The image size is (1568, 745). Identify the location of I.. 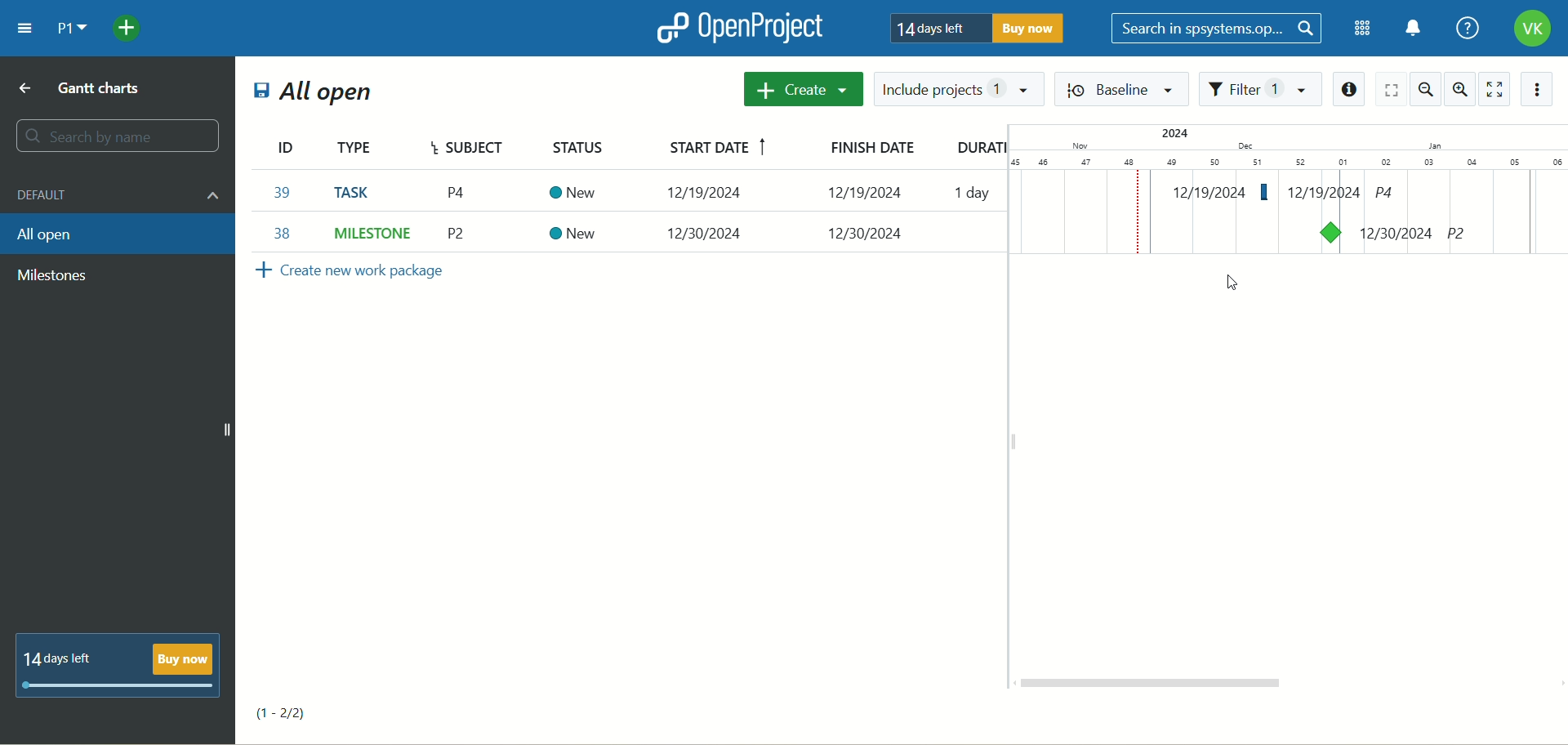
(1431, 141).